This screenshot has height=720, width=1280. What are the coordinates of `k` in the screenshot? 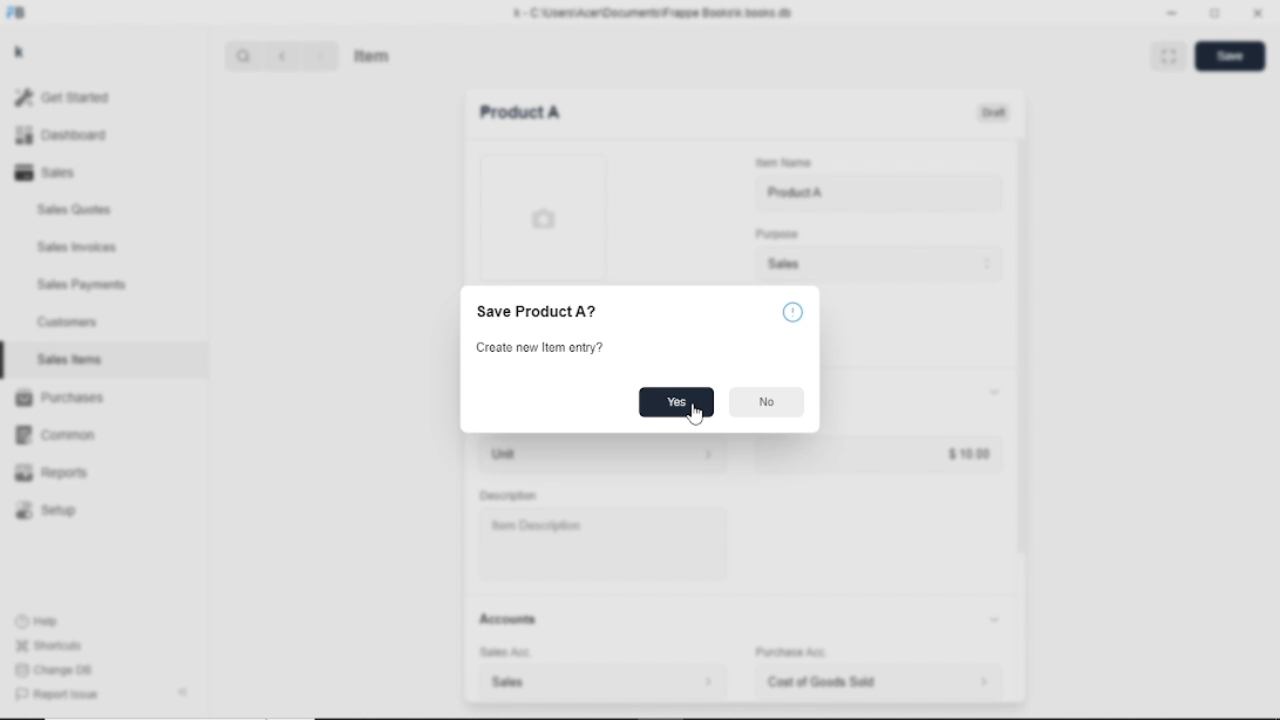 It's located at (22, 53).